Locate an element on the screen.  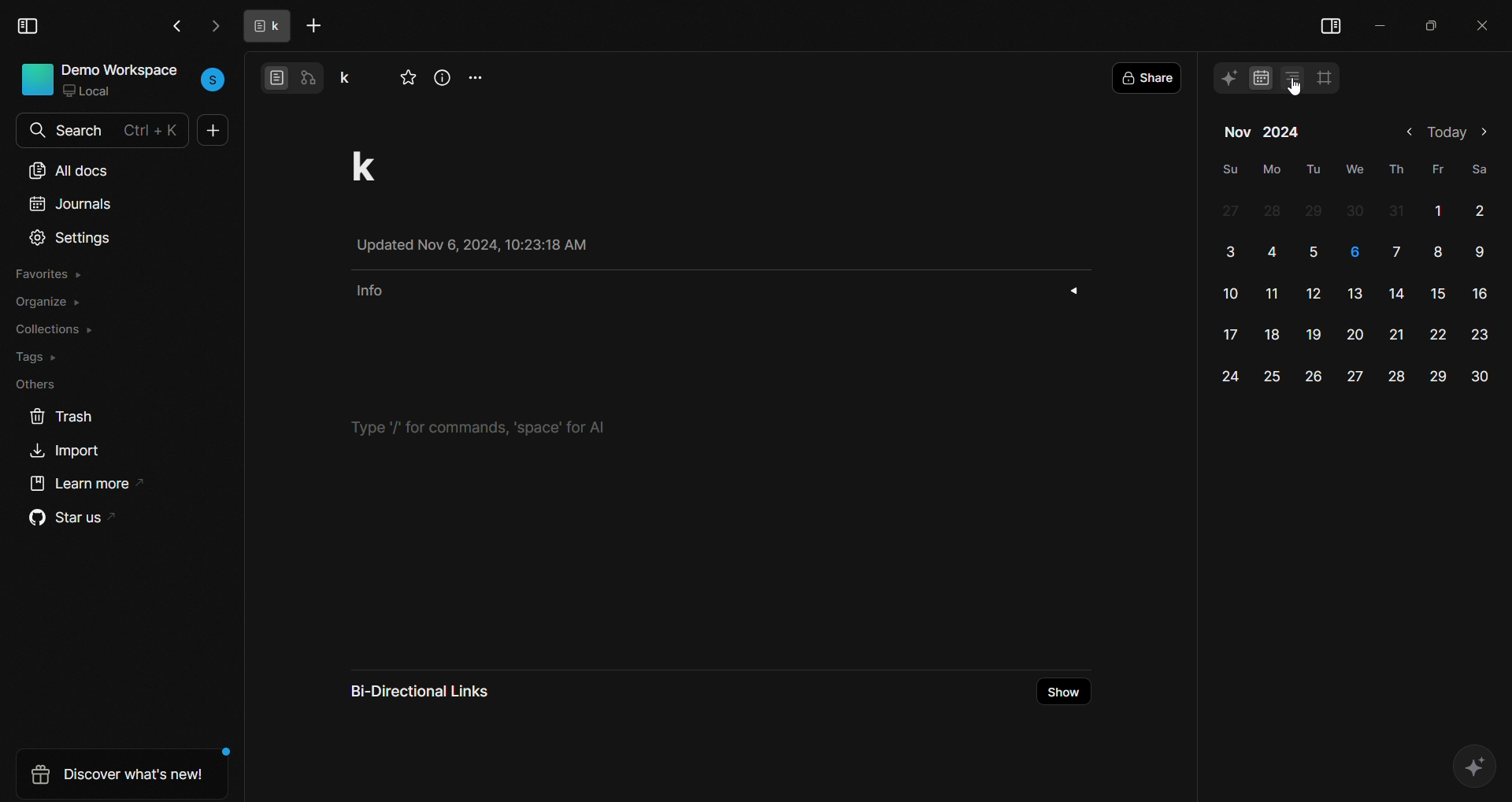
project name is located at coordinates (353, 76).